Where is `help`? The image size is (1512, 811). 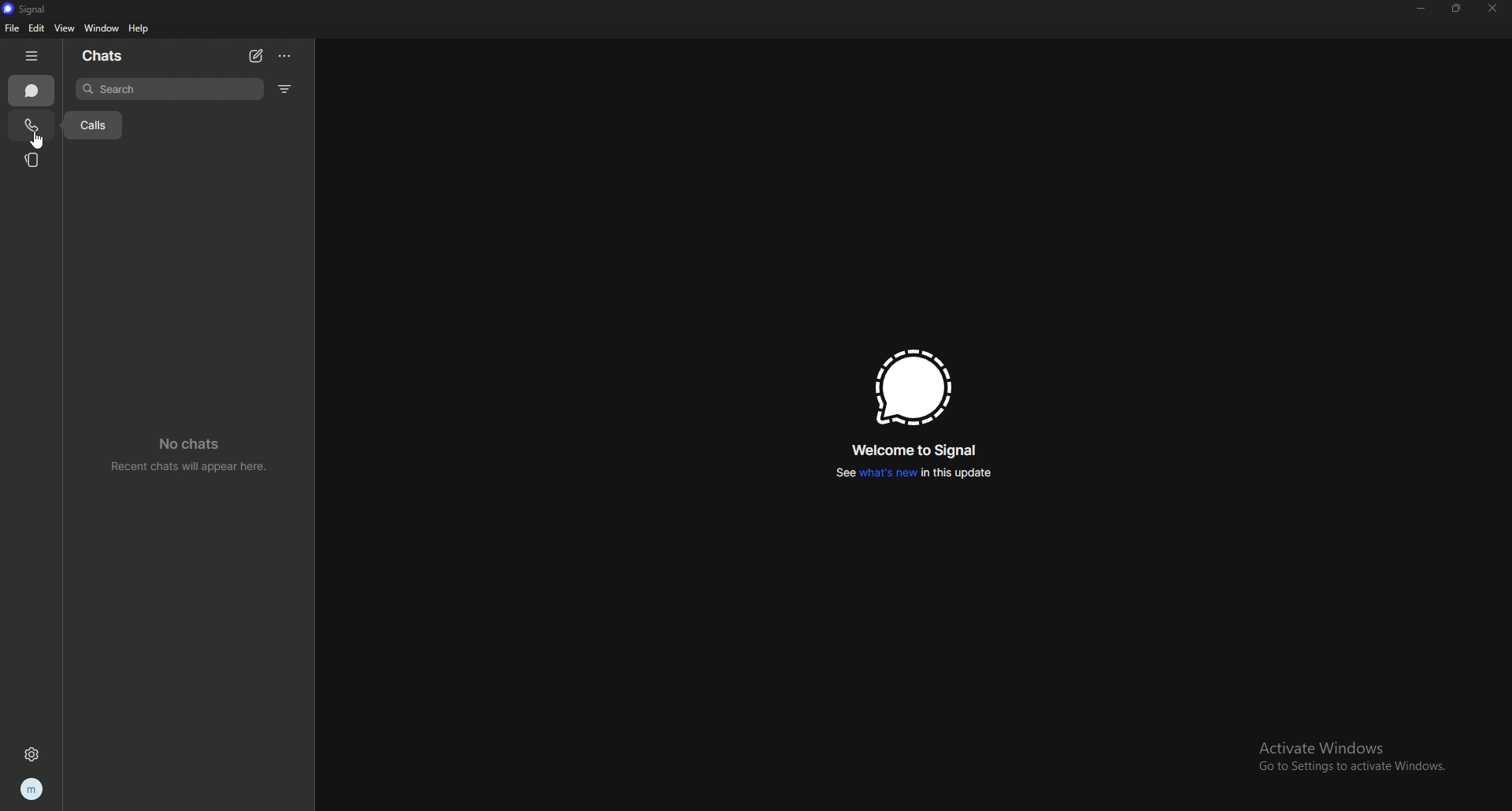 help is located at coordinates (140, 28).